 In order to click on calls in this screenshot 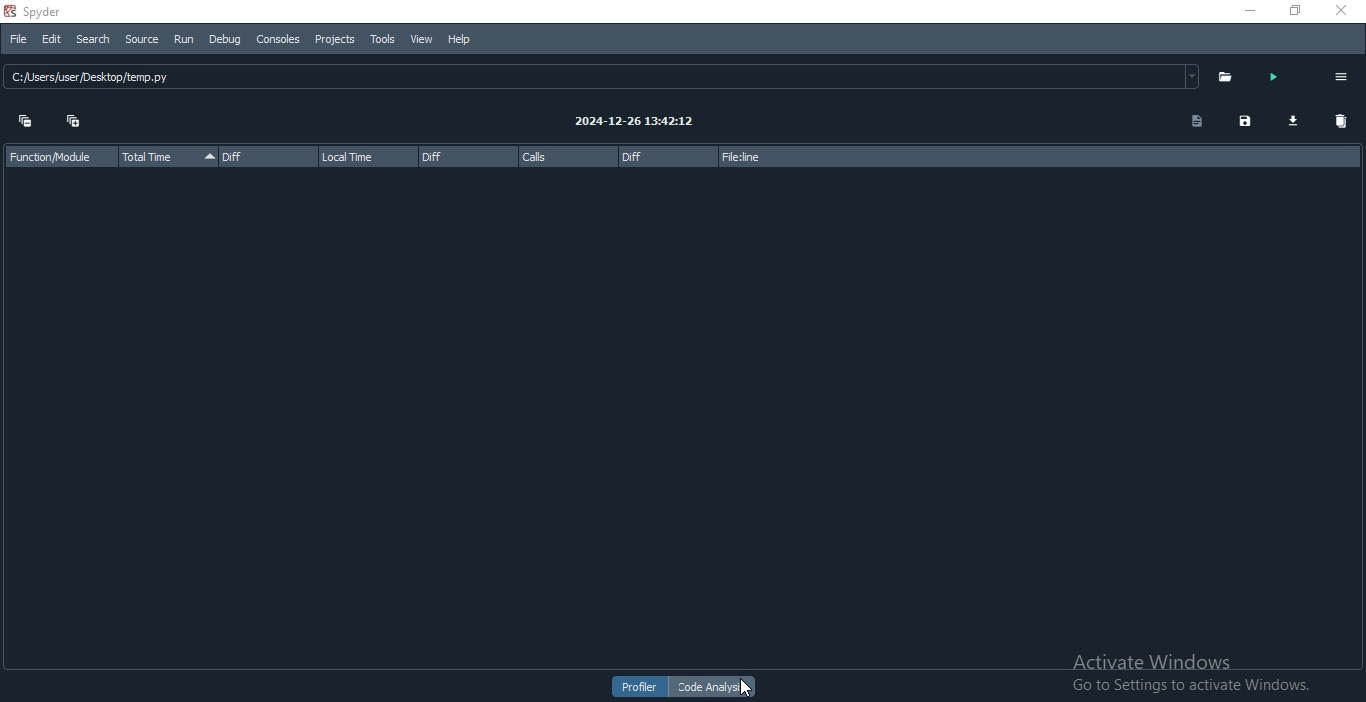, I will do `click(567, 156)`.